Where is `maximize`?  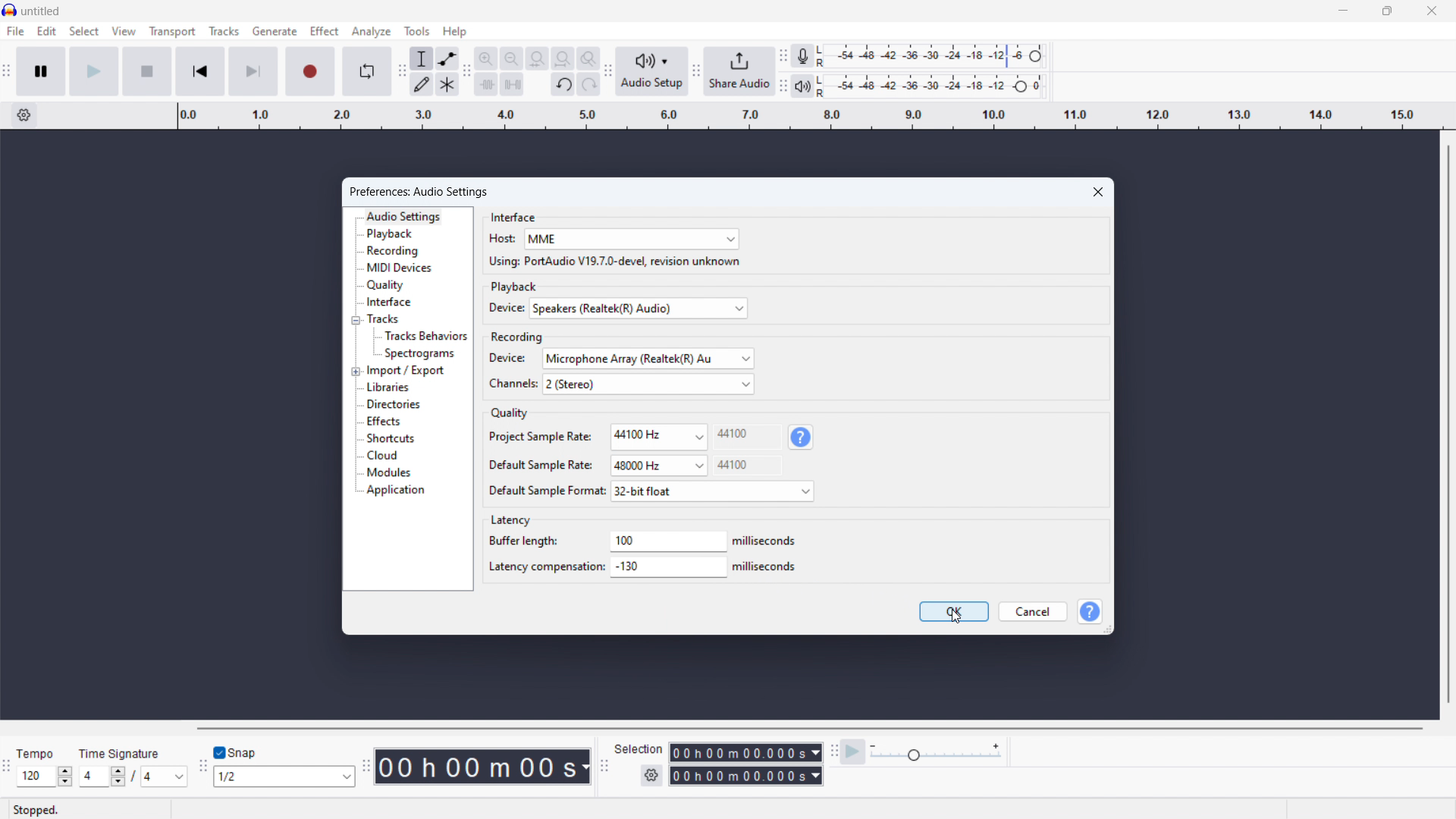
maximize is located at coordinates (1387, 11).